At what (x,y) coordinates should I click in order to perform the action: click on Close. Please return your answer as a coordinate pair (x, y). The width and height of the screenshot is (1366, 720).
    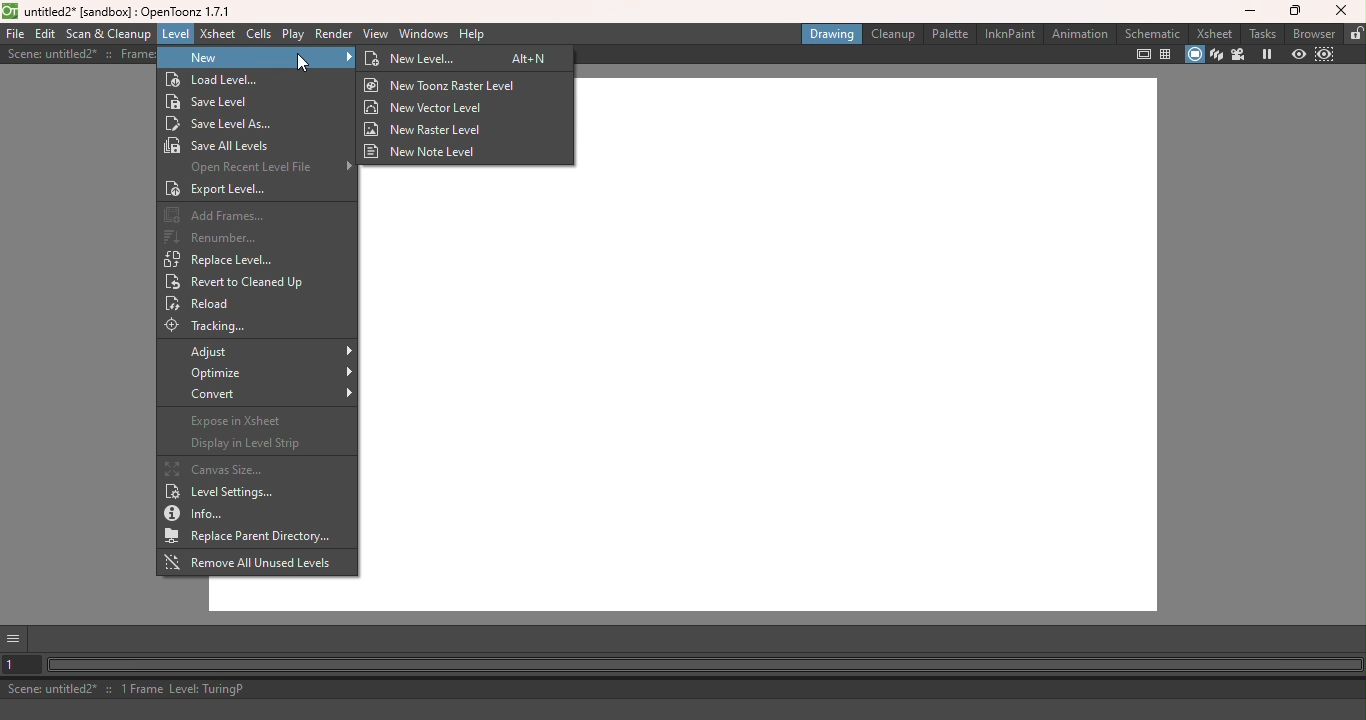
    Looking at the image, I should click on (1340, 10).